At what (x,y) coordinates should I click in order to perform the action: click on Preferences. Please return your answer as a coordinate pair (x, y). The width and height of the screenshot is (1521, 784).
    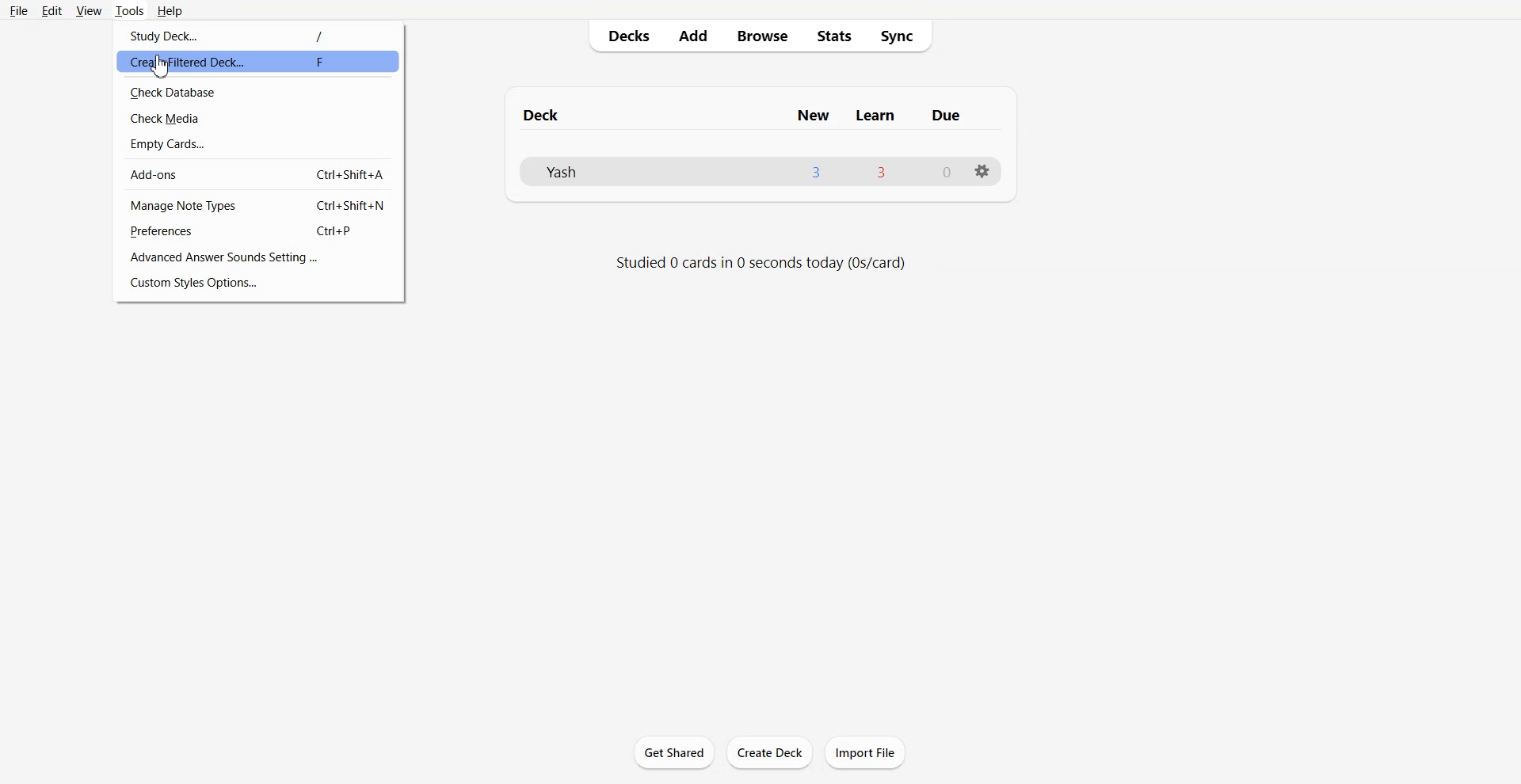
    Looking at the image, I should click on (258, 230).